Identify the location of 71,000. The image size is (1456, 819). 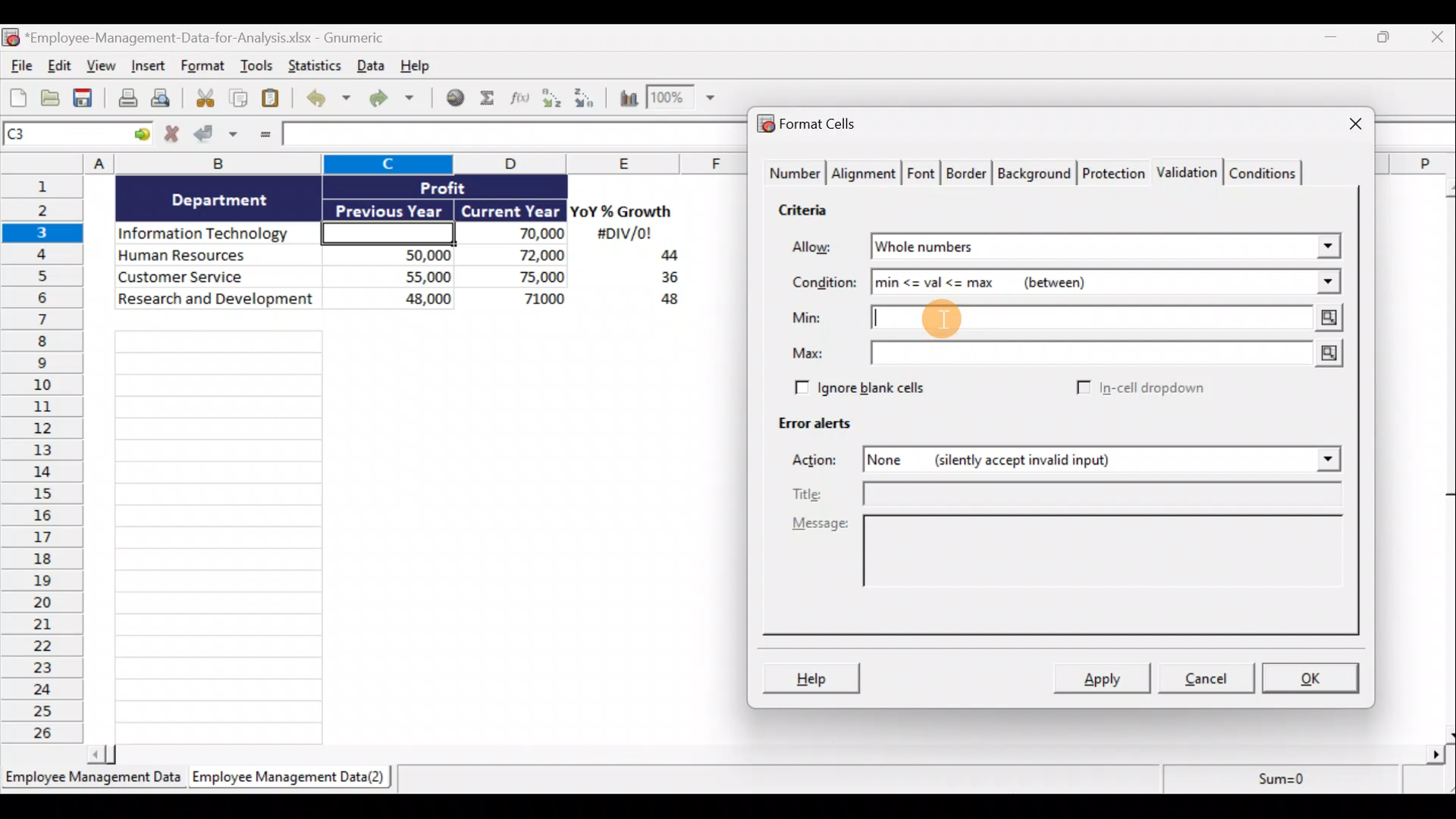
(522, 300).